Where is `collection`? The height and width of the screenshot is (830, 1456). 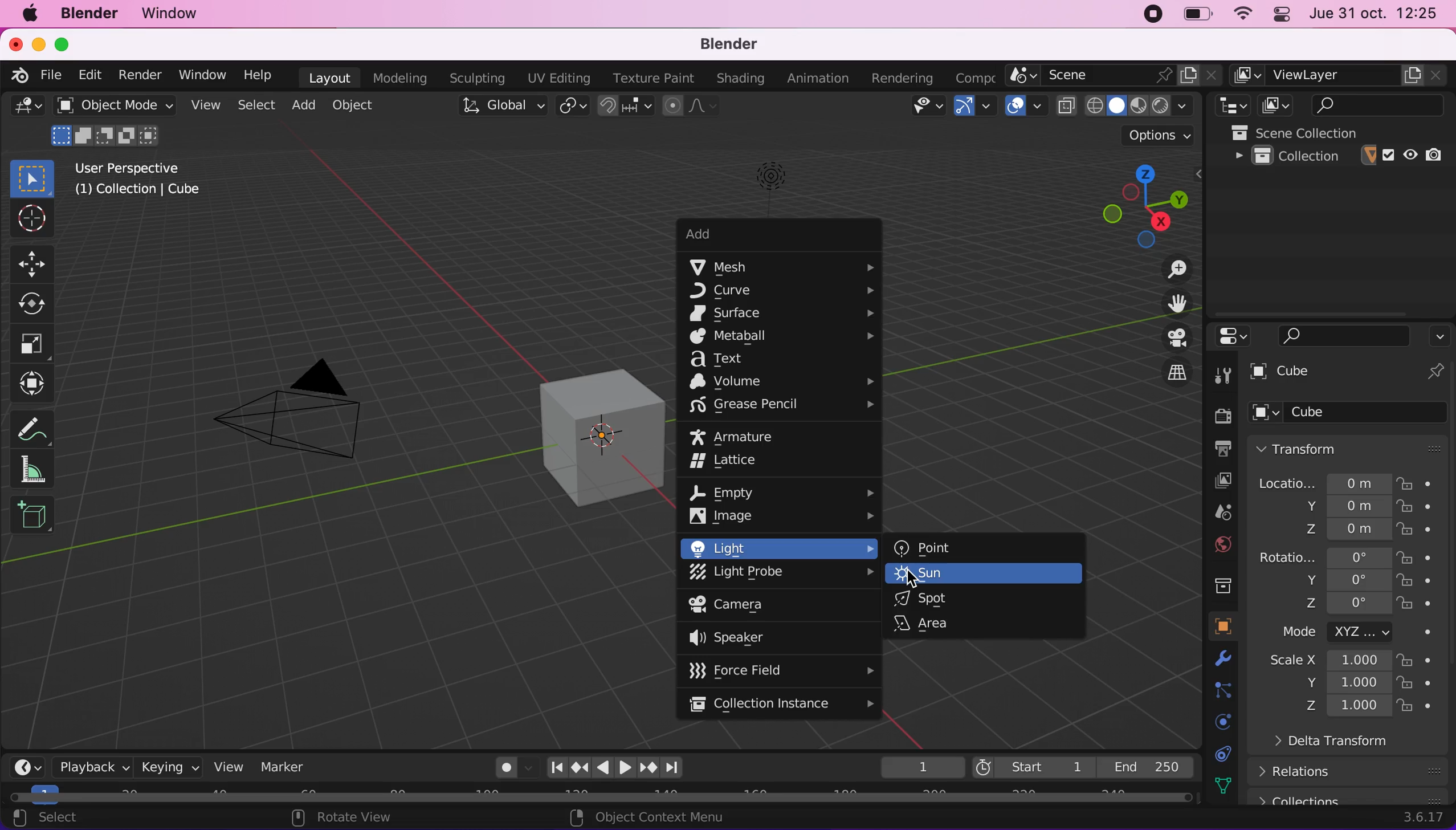
collection is located at coordinates (1340, 156).